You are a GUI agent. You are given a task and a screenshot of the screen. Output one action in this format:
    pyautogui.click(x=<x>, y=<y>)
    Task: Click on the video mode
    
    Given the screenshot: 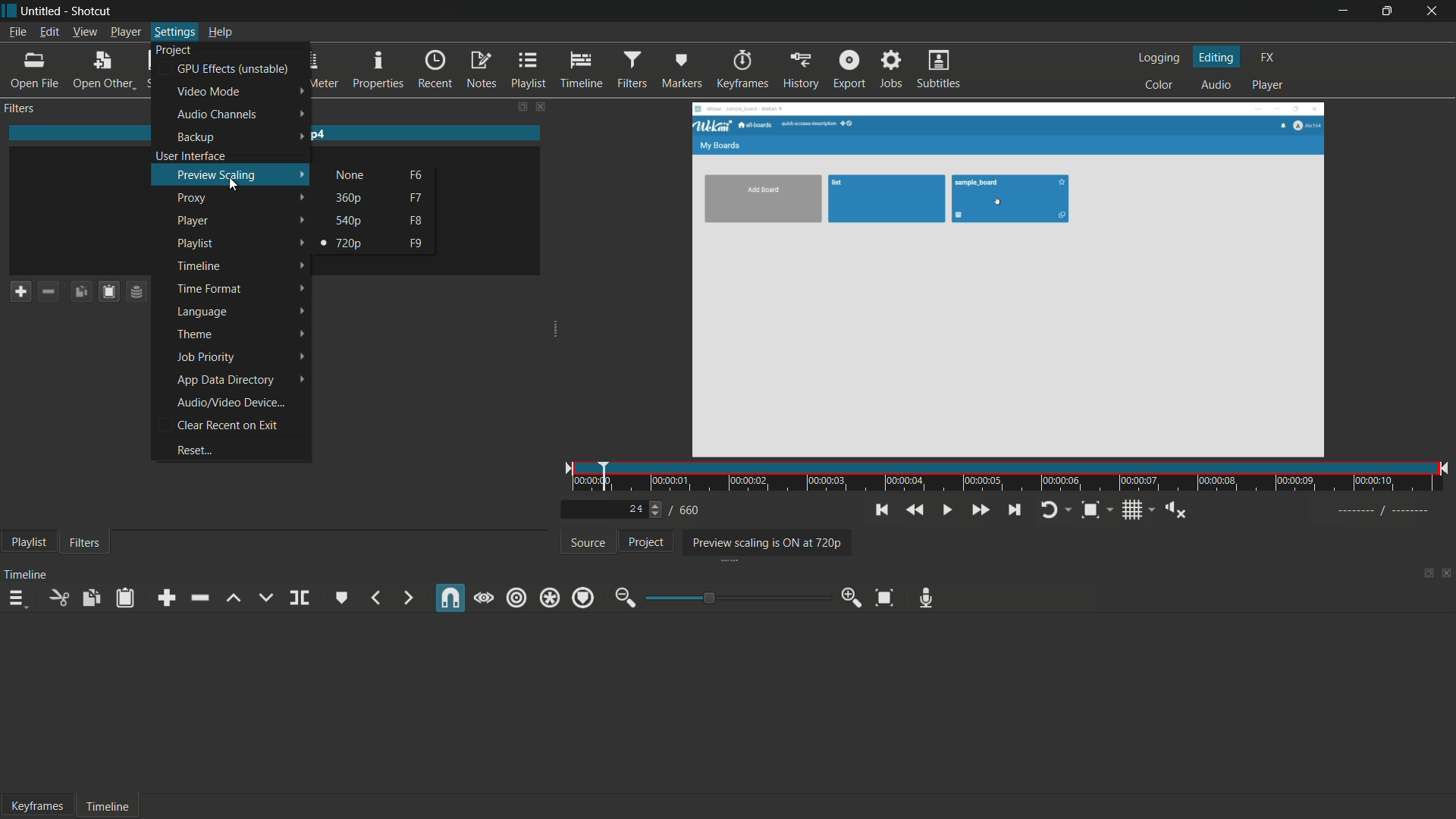 What is the action you would take?
    pyautogui.click(x=208, y=91)
    